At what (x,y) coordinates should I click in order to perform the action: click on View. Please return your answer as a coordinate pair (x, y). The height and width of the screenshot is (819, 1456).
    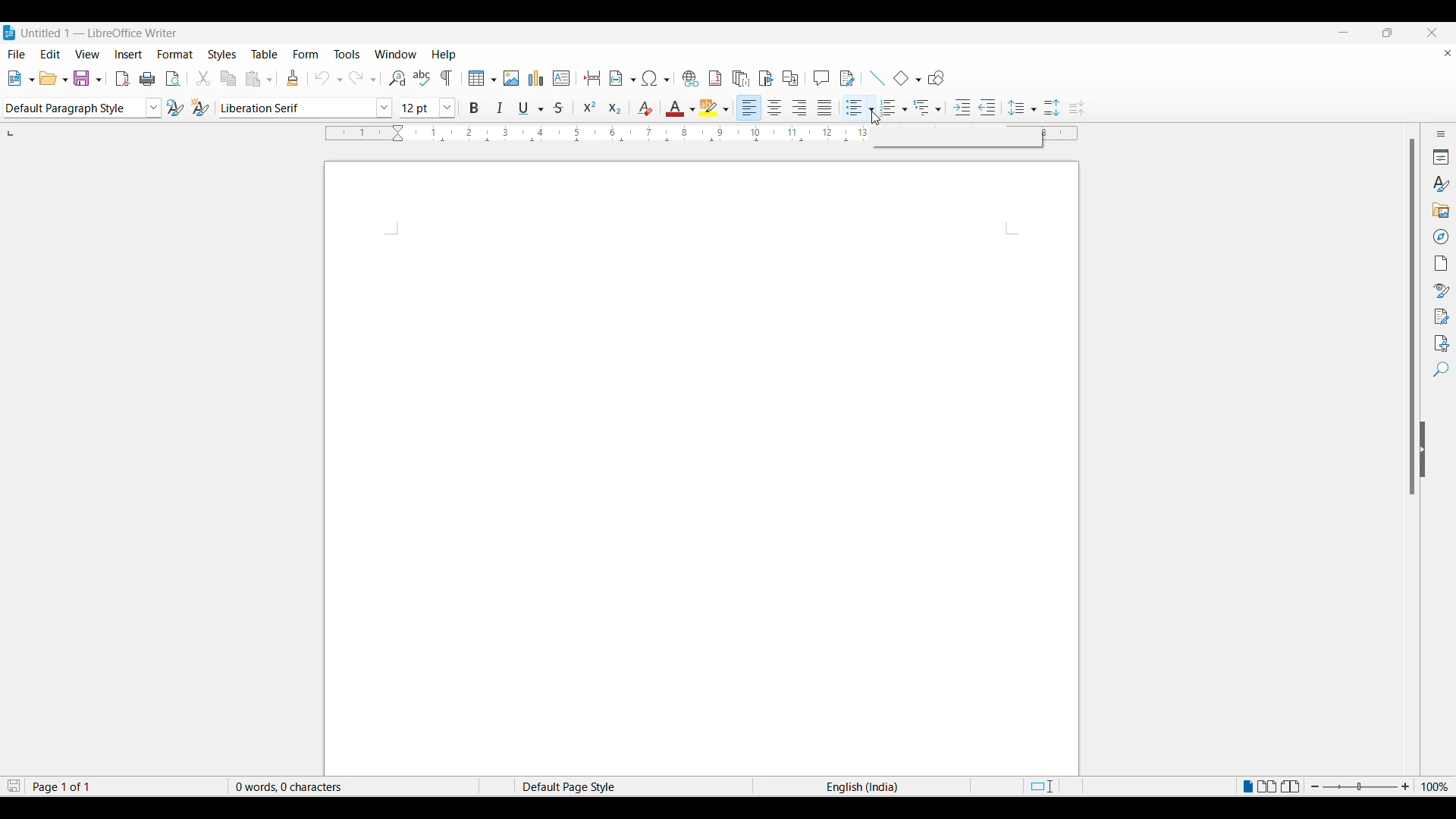
    Looking at the image, I should click on (86, 53).